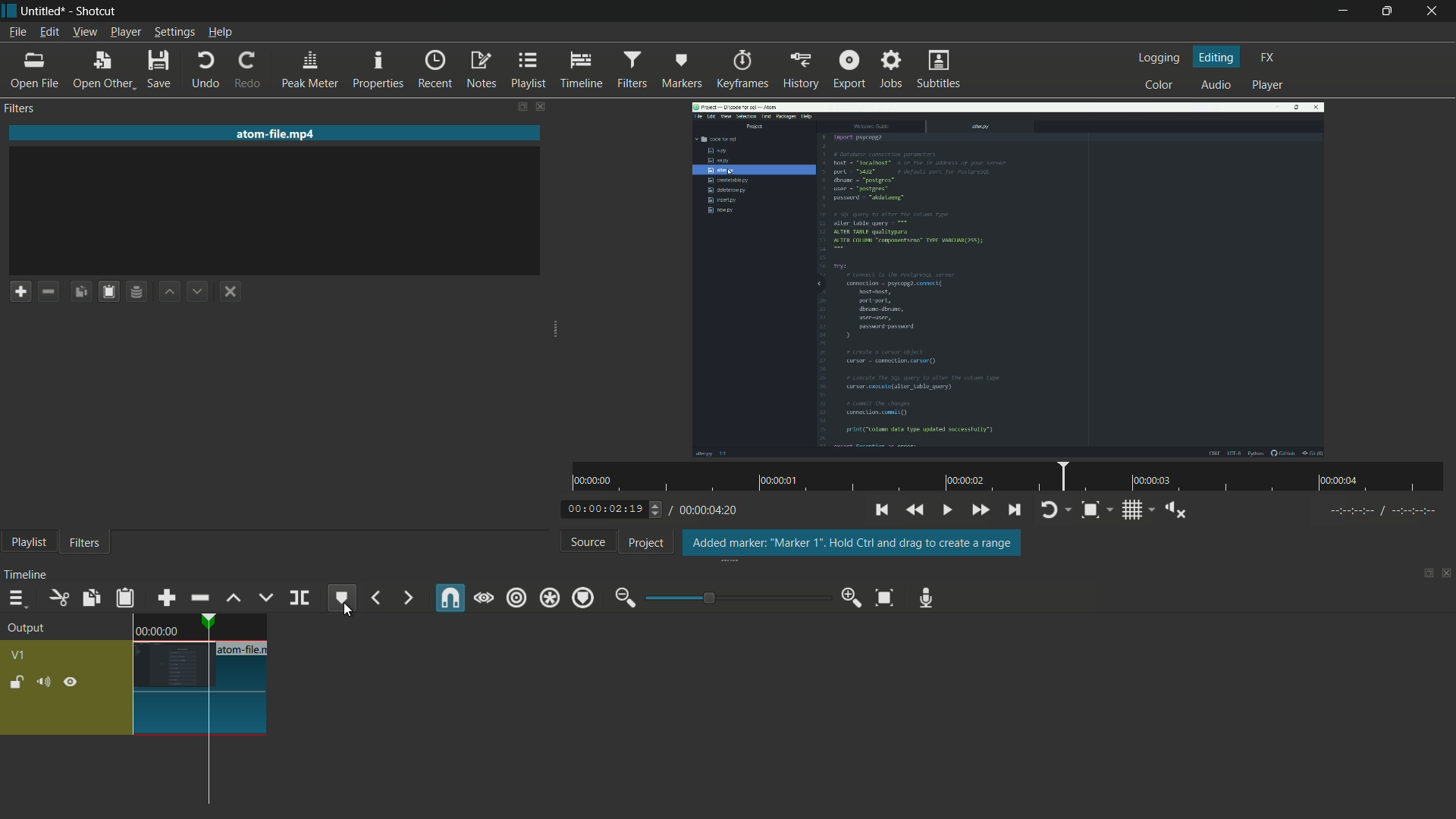 The height and width of the screenshot is (819, 1456). What do you see at coordinates (16, 32) in the screenshot?
I see `file menu` at bounding box center [16, 32].